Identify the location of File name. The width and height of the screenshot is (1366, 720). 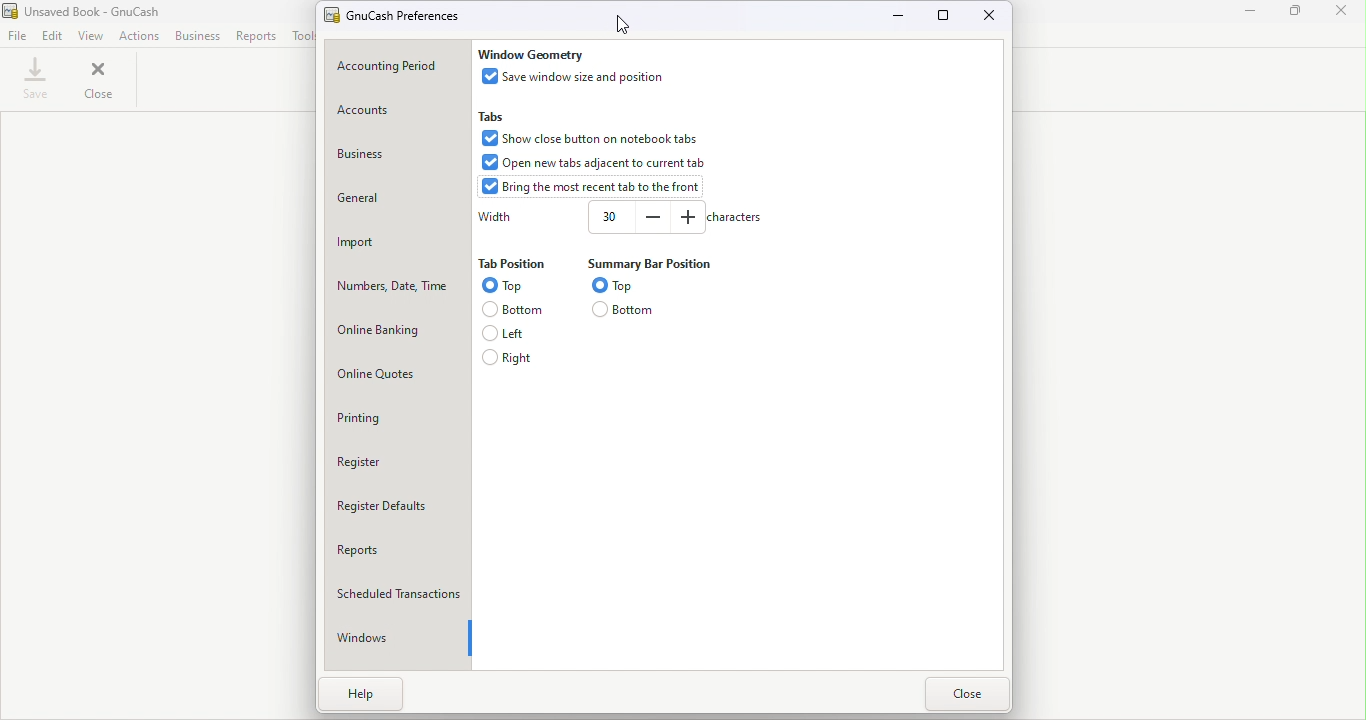
(102, 12).